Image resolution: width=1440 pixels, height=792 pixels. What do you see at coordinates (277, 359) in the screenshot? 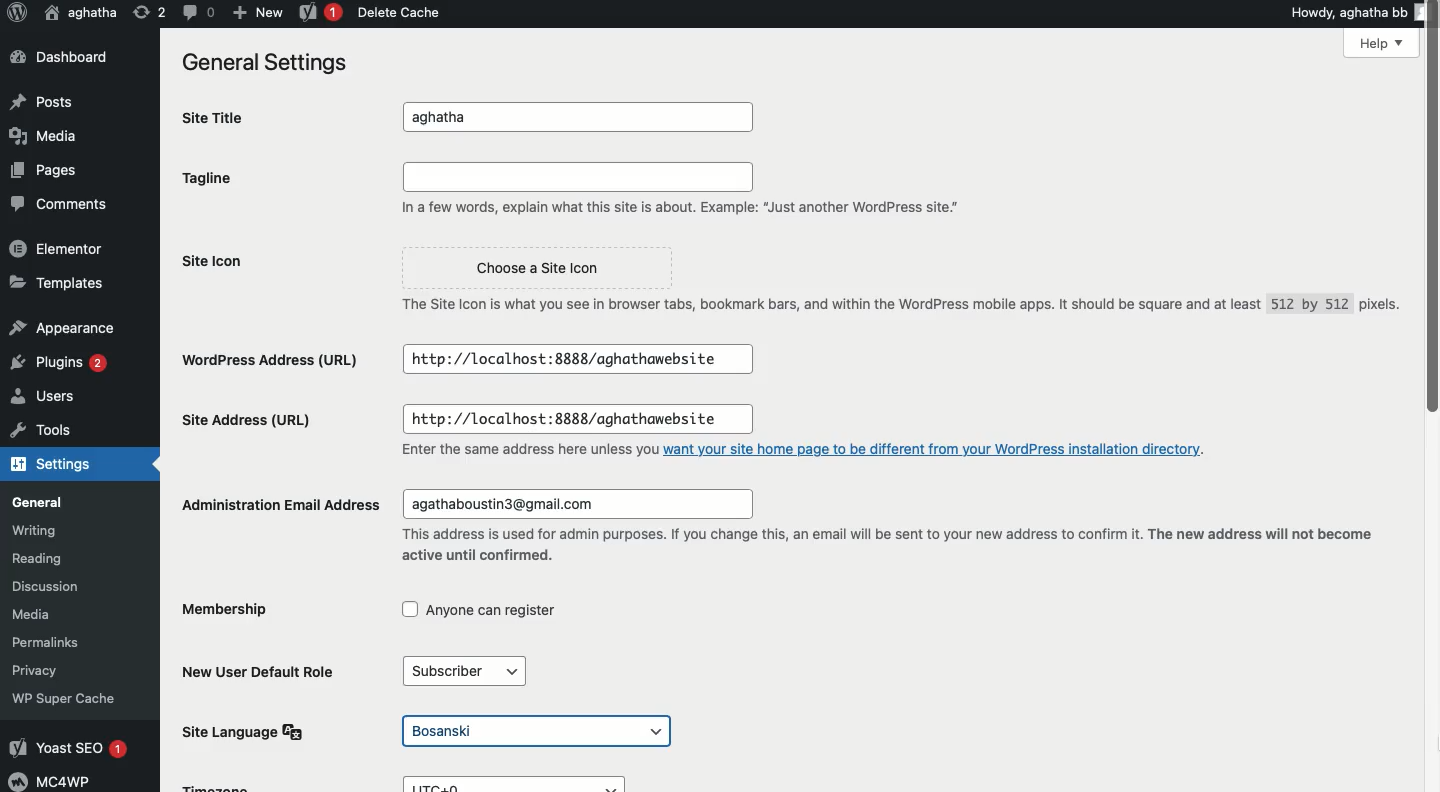
I see `Wordpress address url` at bounding box center [277, 359].